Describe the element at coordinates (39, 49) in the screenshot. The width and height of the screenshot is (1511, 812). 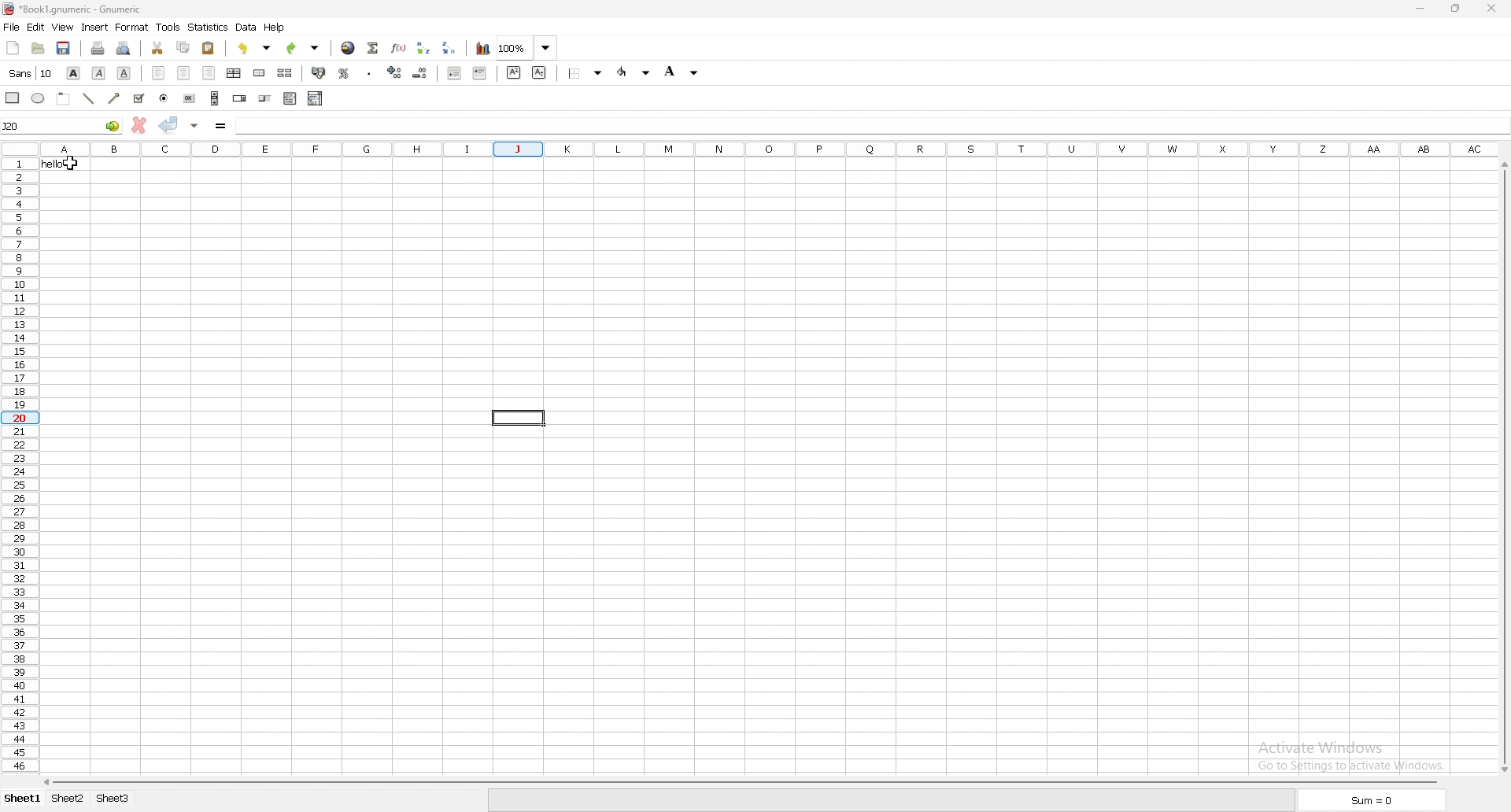
I see `open` at that location.